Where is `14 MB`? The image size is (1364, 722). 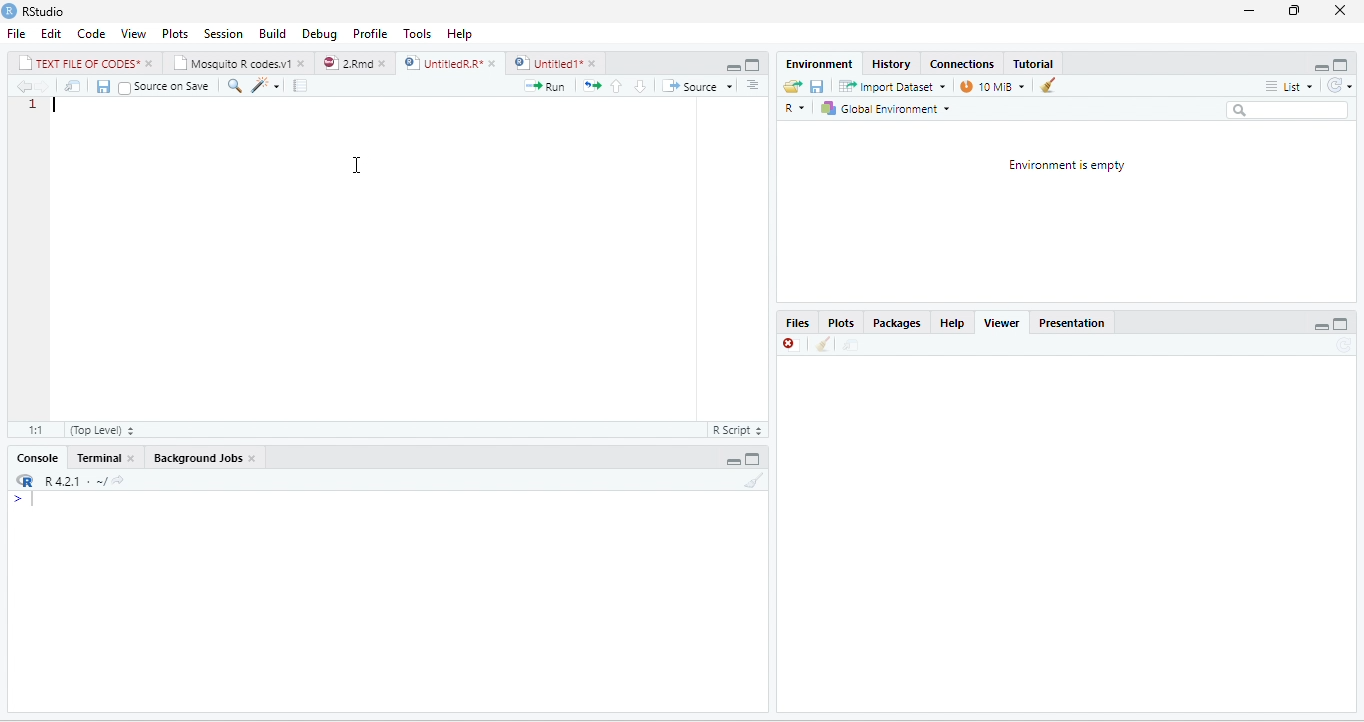
14 MB is located at coordinates (993, 86).